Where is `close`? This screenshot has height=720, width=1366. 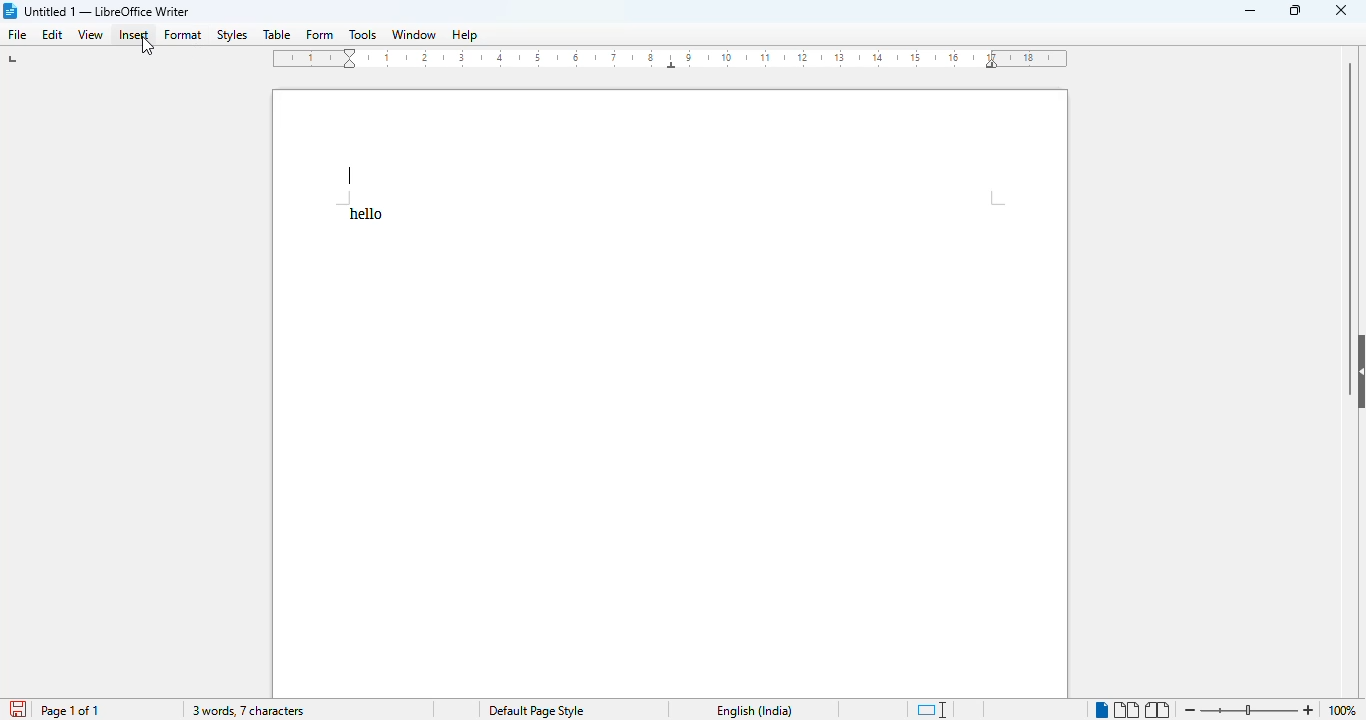
close is located at coordinates (1340, 11).